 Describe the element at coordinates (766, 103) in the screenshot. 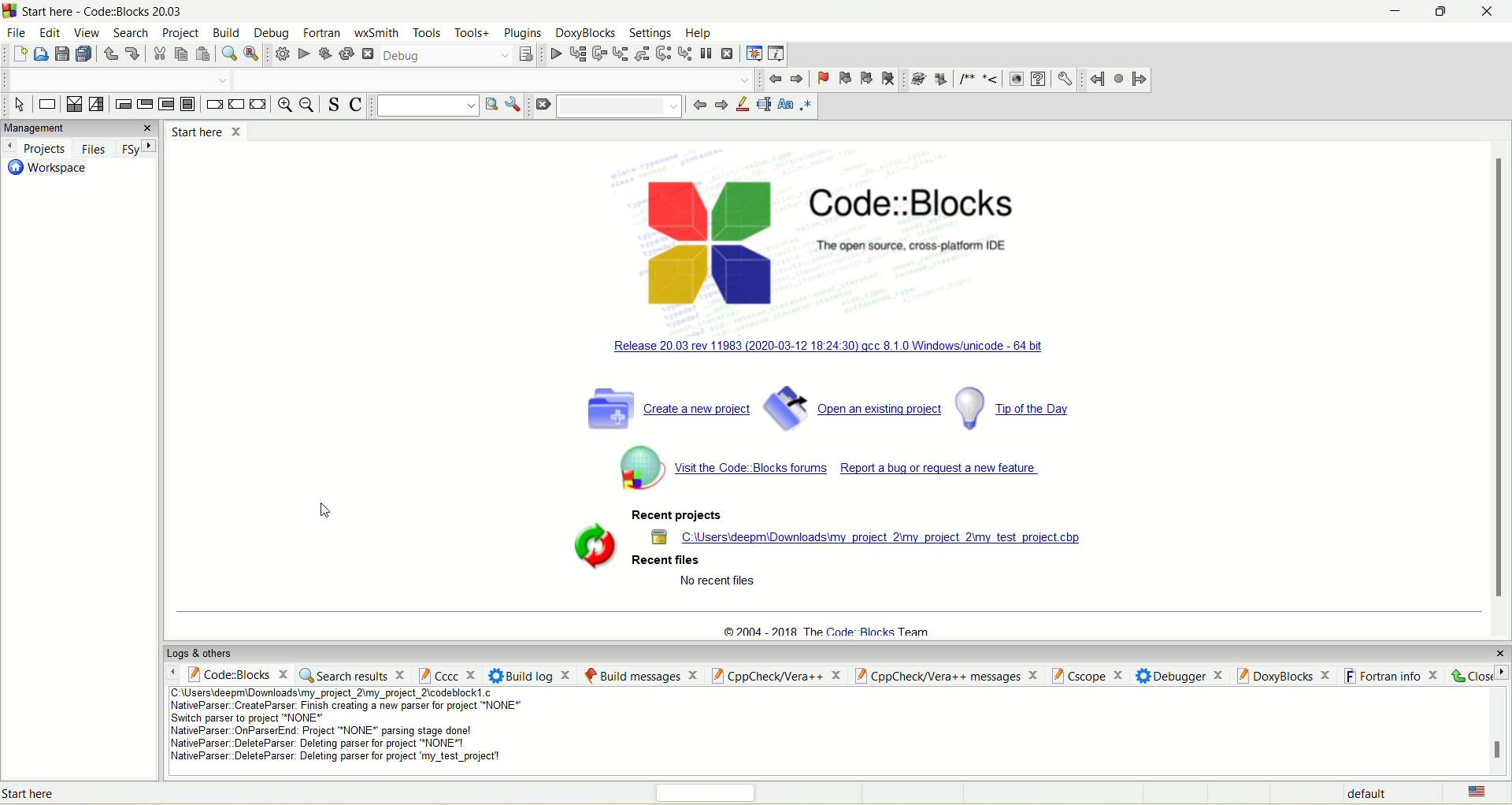

I see `selected text` at that location.